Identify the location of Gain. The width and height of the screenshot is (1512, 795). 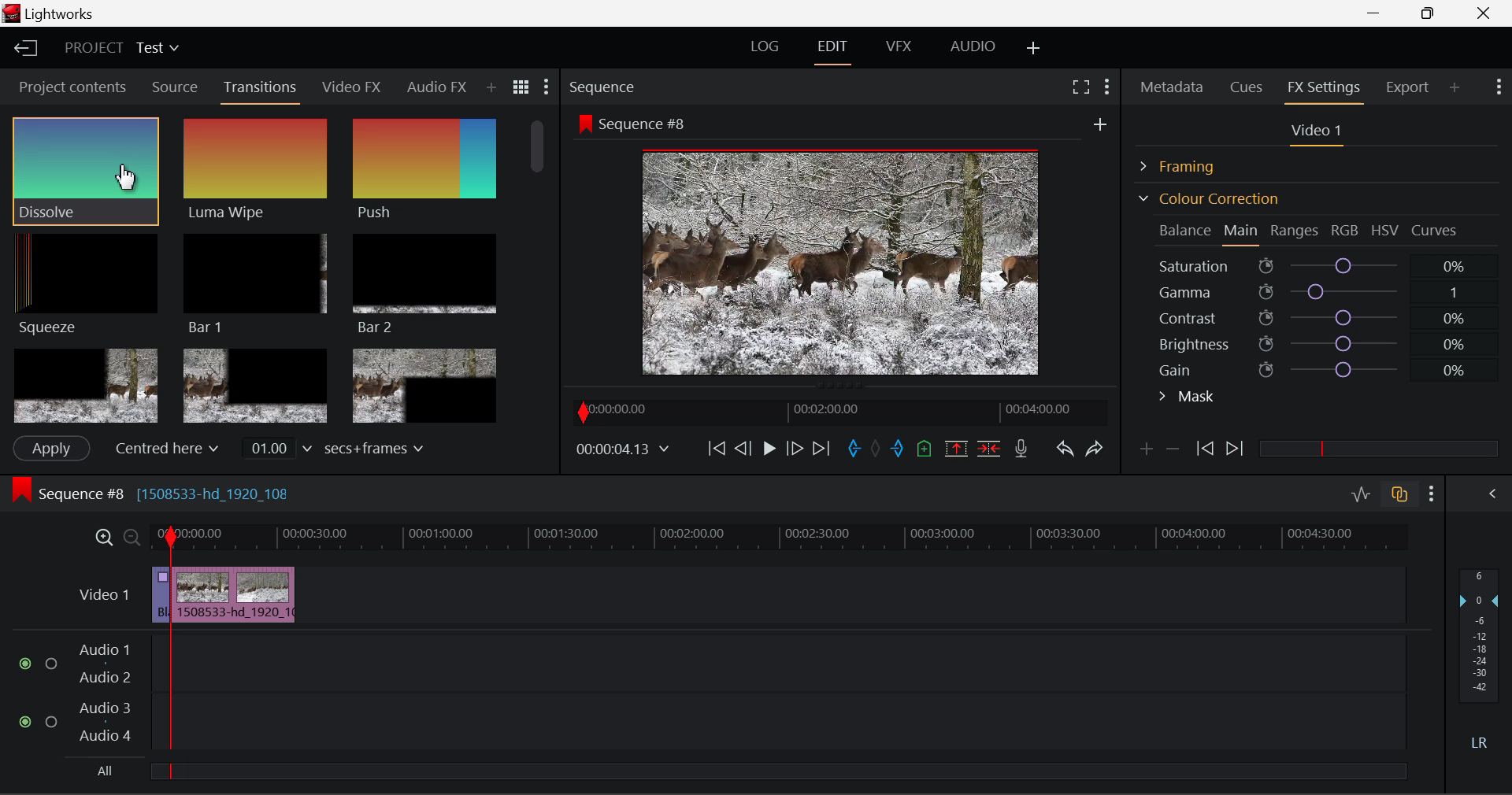
(1332, 367).